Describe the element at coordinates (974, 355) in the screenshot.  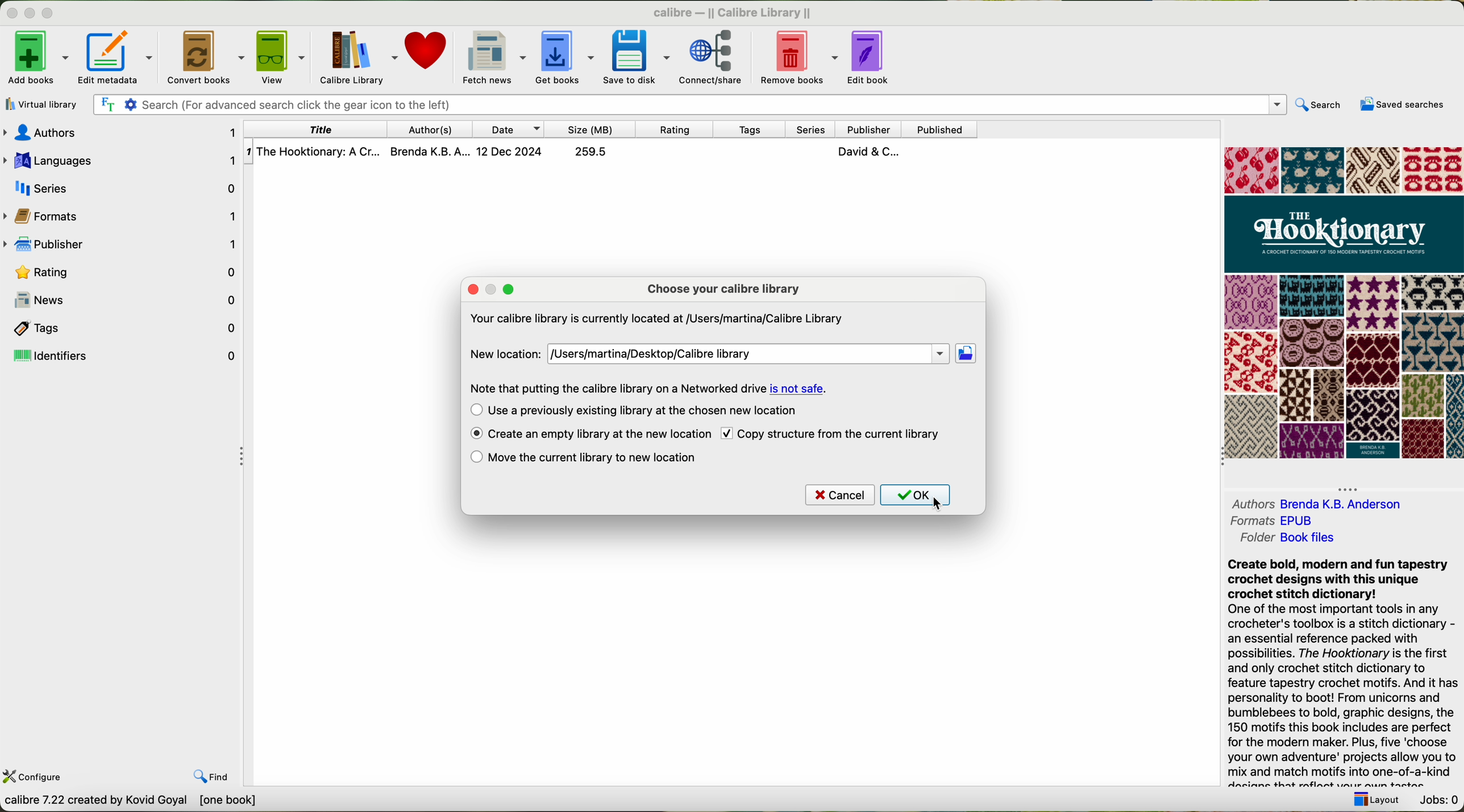
I see `click on new location` at that location.